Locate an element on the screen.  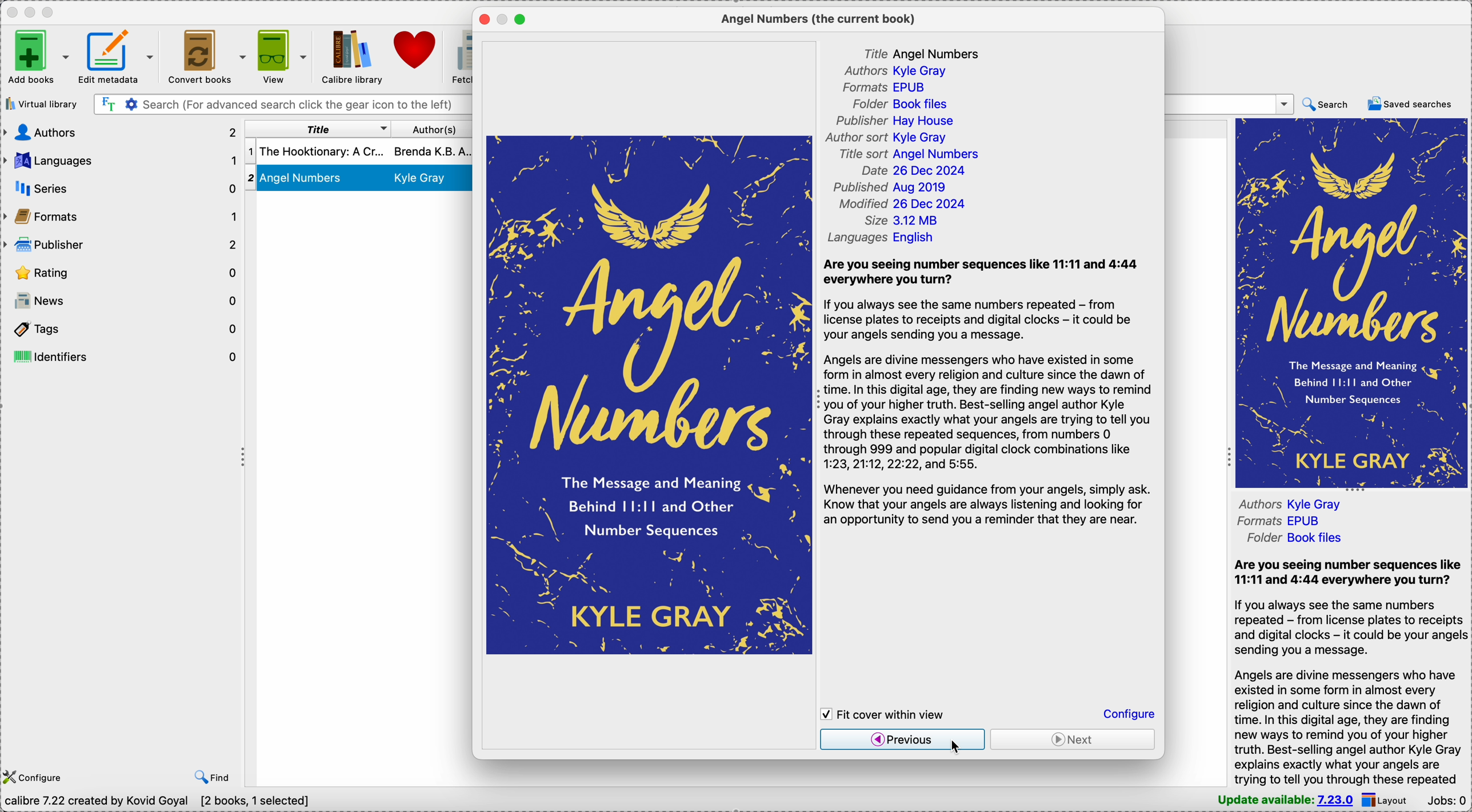
authors is located at coordinates (1331, 502).